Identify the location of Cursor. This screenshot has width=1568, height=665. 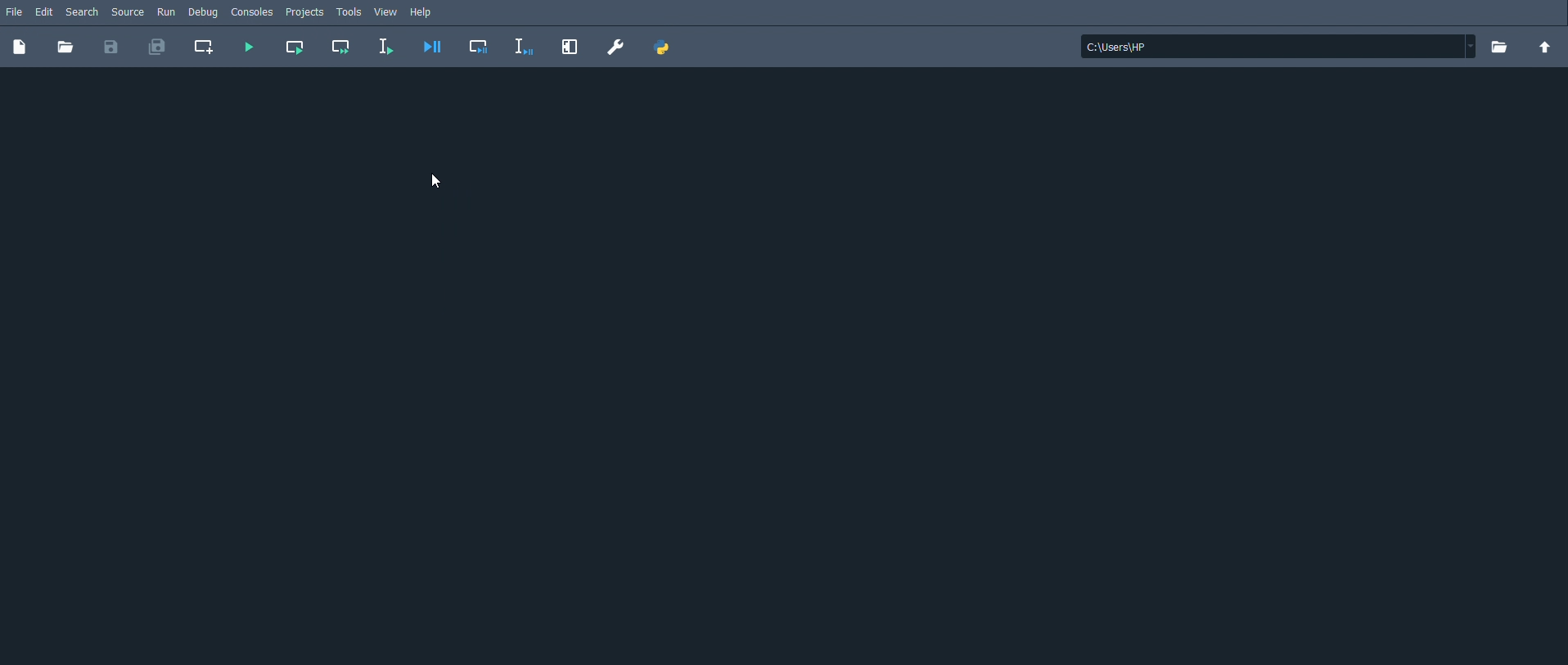
(439, 181).